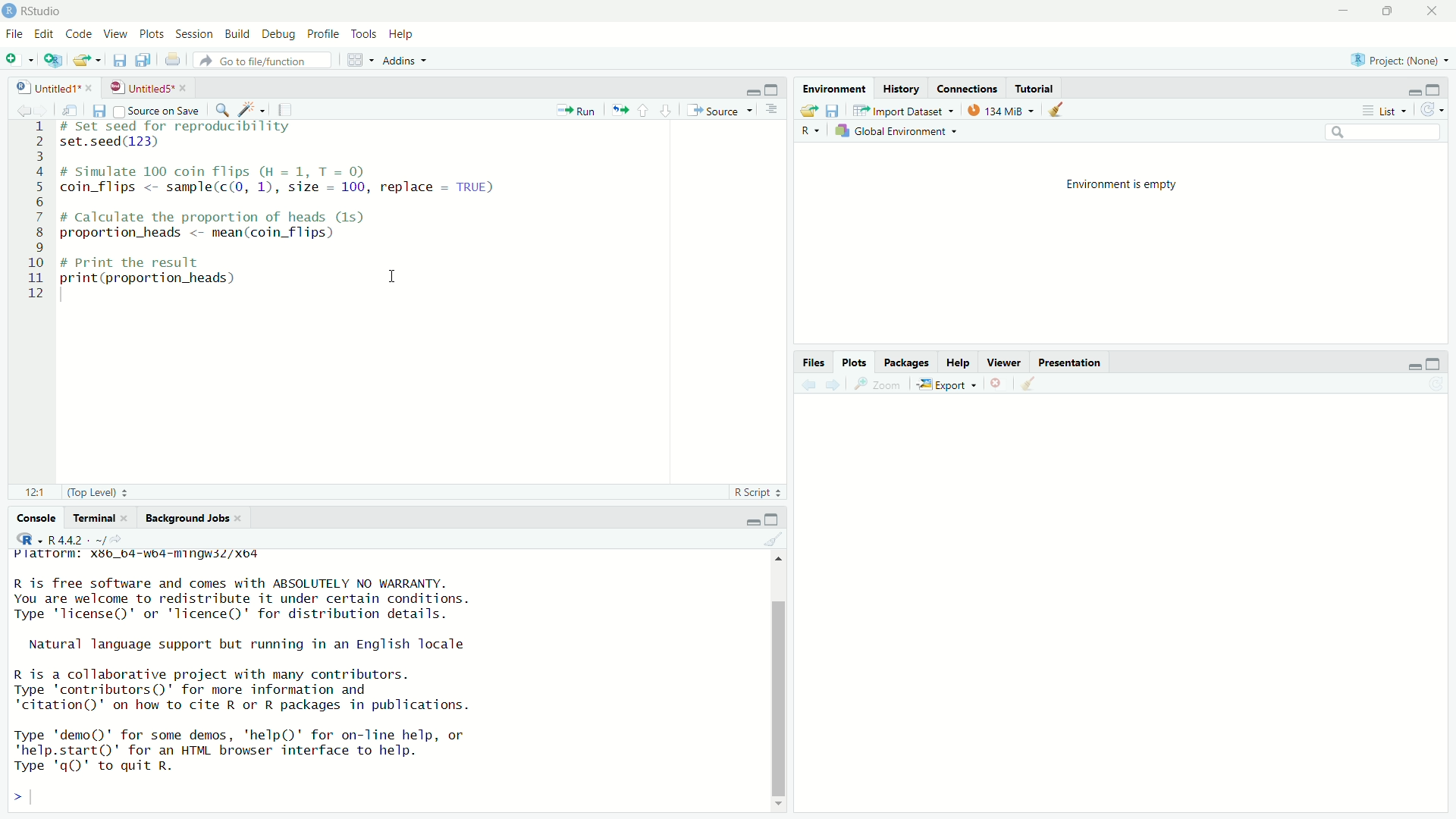  Describe the element at coordinates (644, 111) in the screenshot. I see `go to previous section/chunk` at that location.